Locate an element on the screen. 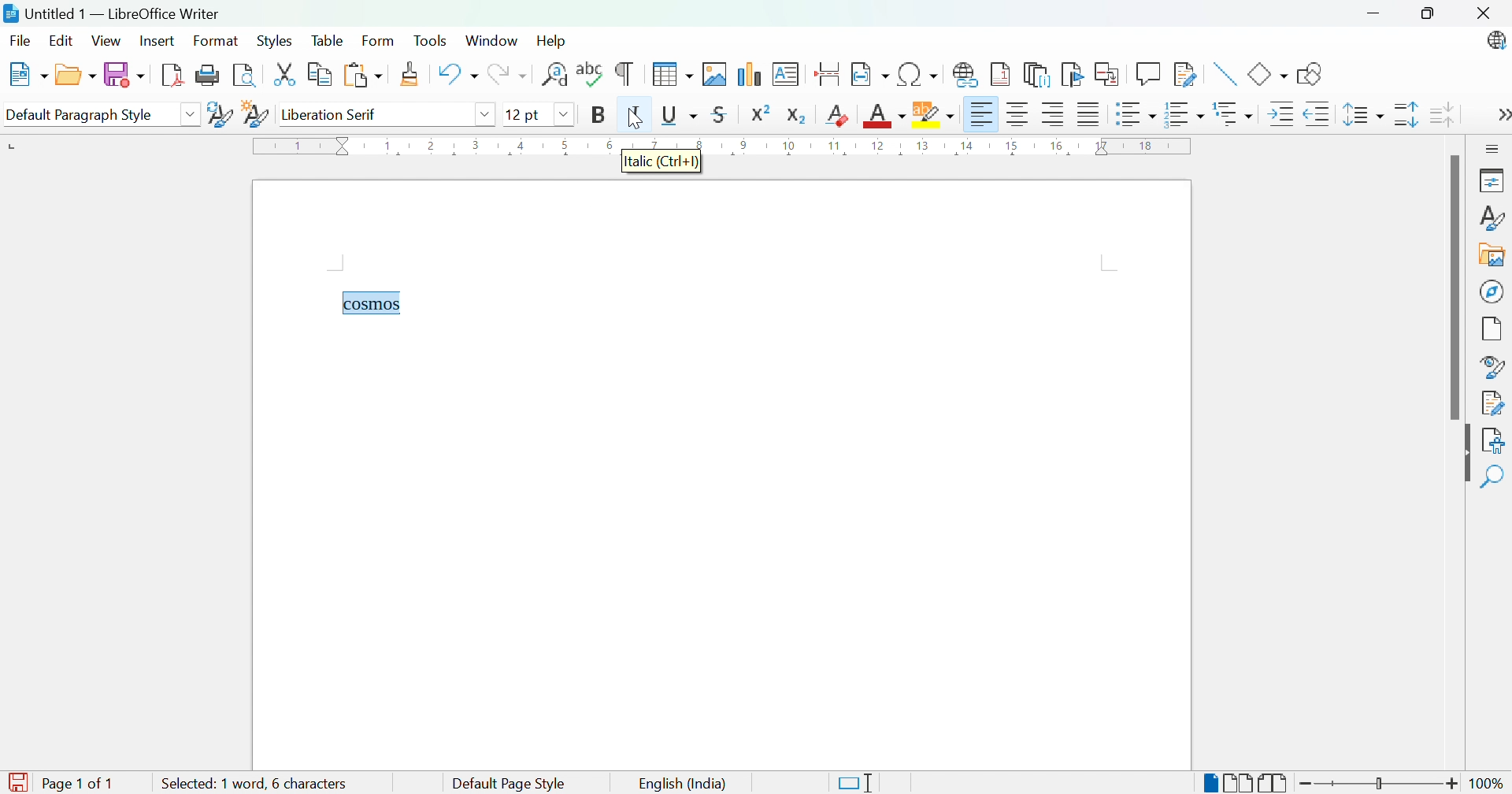 This screenshot has height=794, width=1512. Export as PDF is located at coordinates (172, 74).